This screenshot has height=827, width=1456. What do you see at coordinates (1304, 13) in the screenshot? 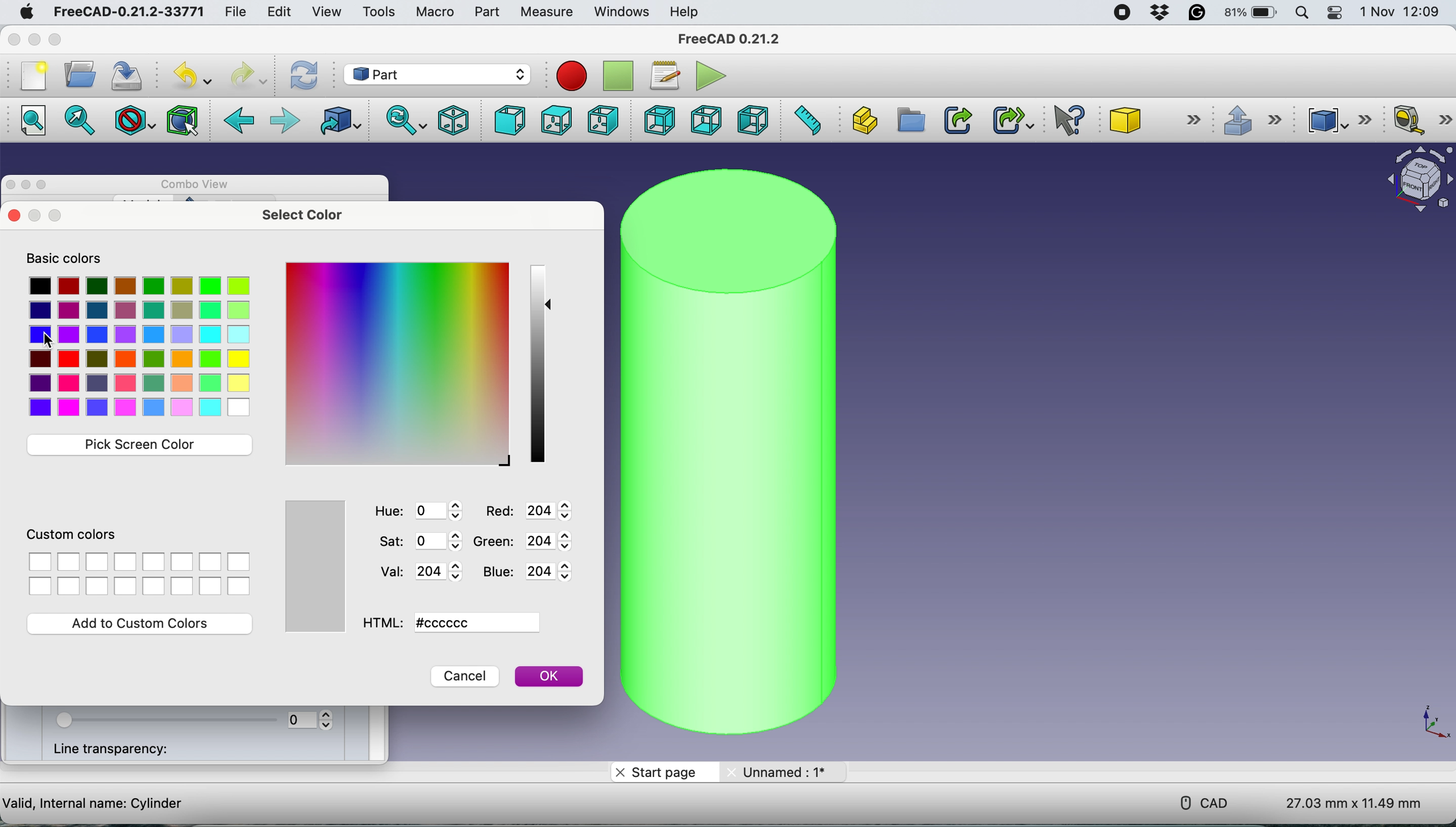
I see `spotlight search` at bounding box center [1304, 13].